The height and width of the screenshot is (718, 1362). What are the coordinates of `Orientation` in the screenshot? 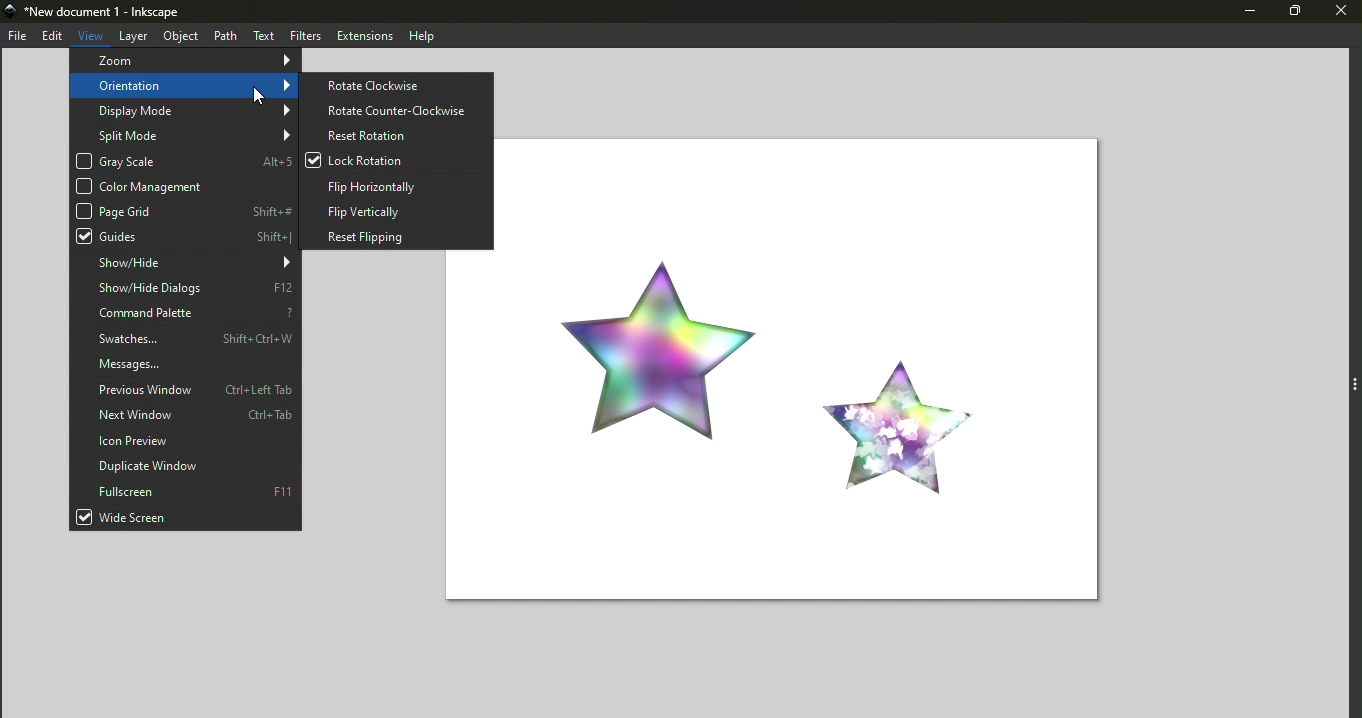 It's located at (185, 85).